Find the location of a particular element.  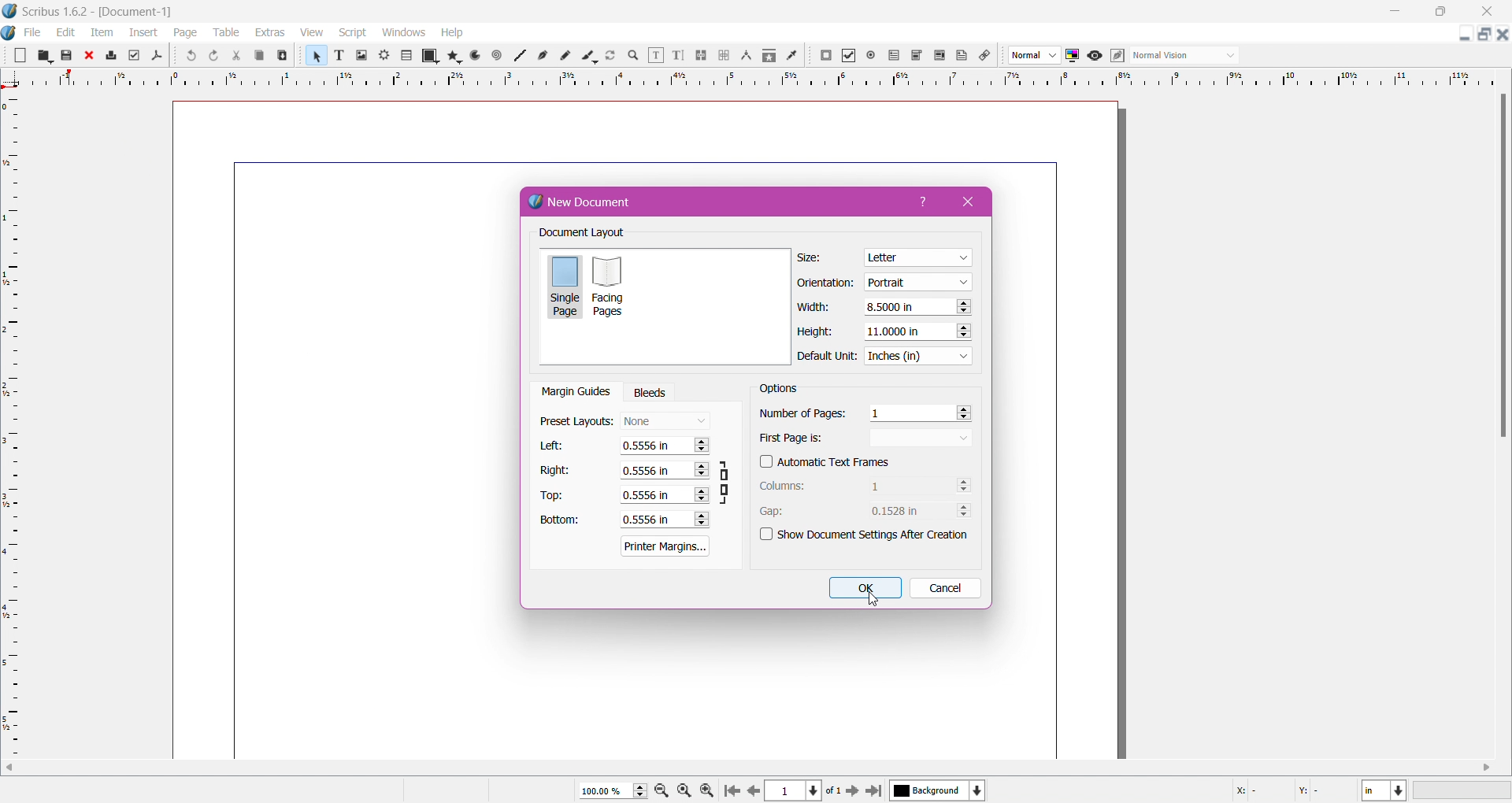

search is located at coordinates (632, 57).